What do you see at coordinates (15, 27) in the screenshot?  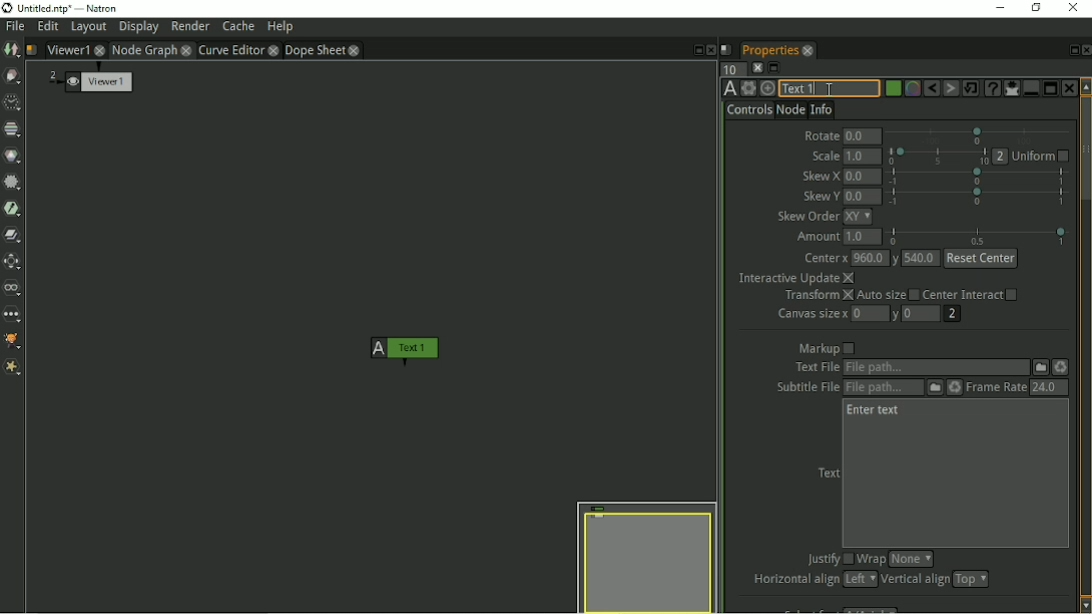 I see `File` at bounding box center [15, 27].